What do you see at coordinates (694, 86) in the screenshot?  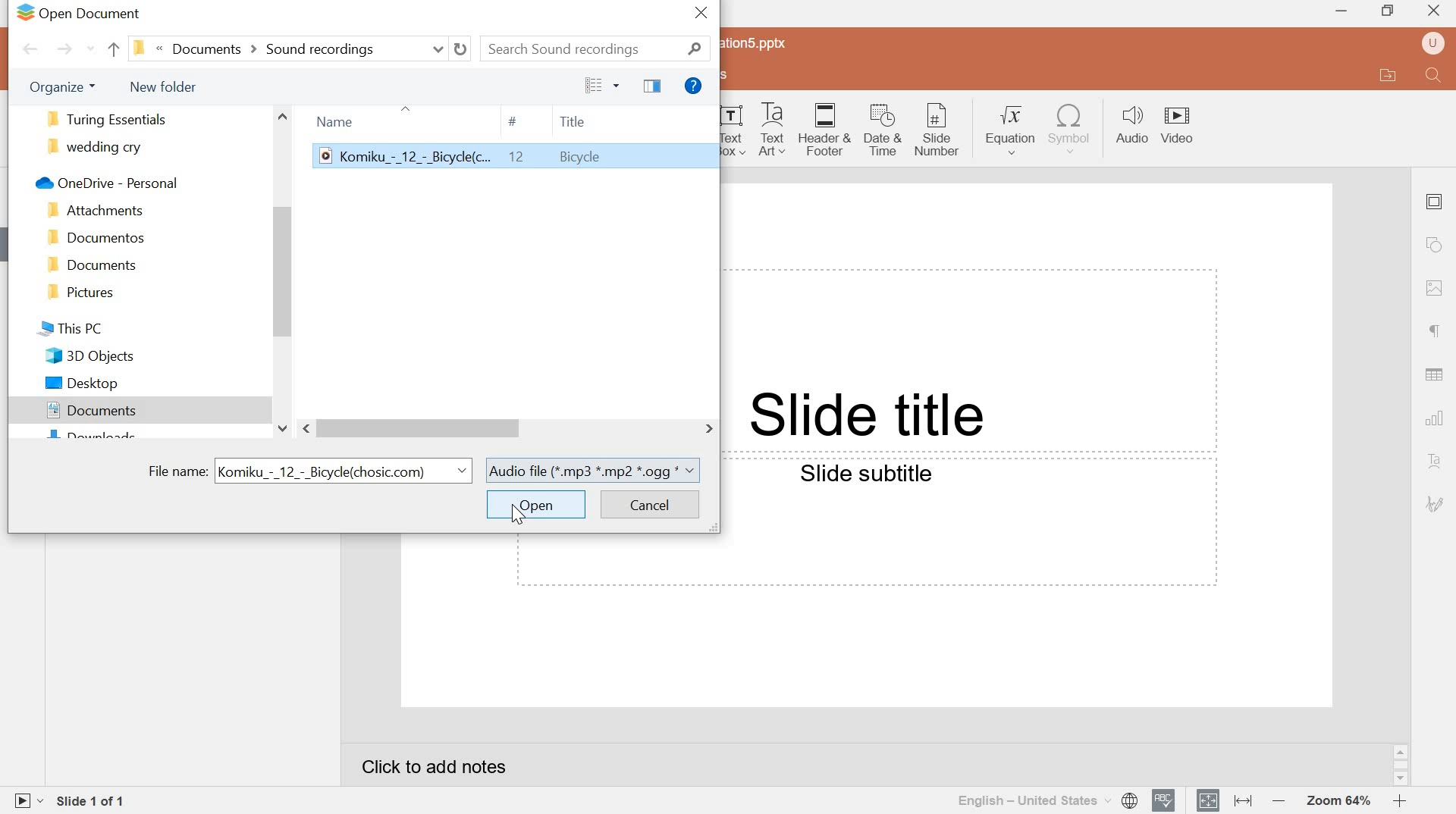 I see `get help` at bounding box center [694, 86].